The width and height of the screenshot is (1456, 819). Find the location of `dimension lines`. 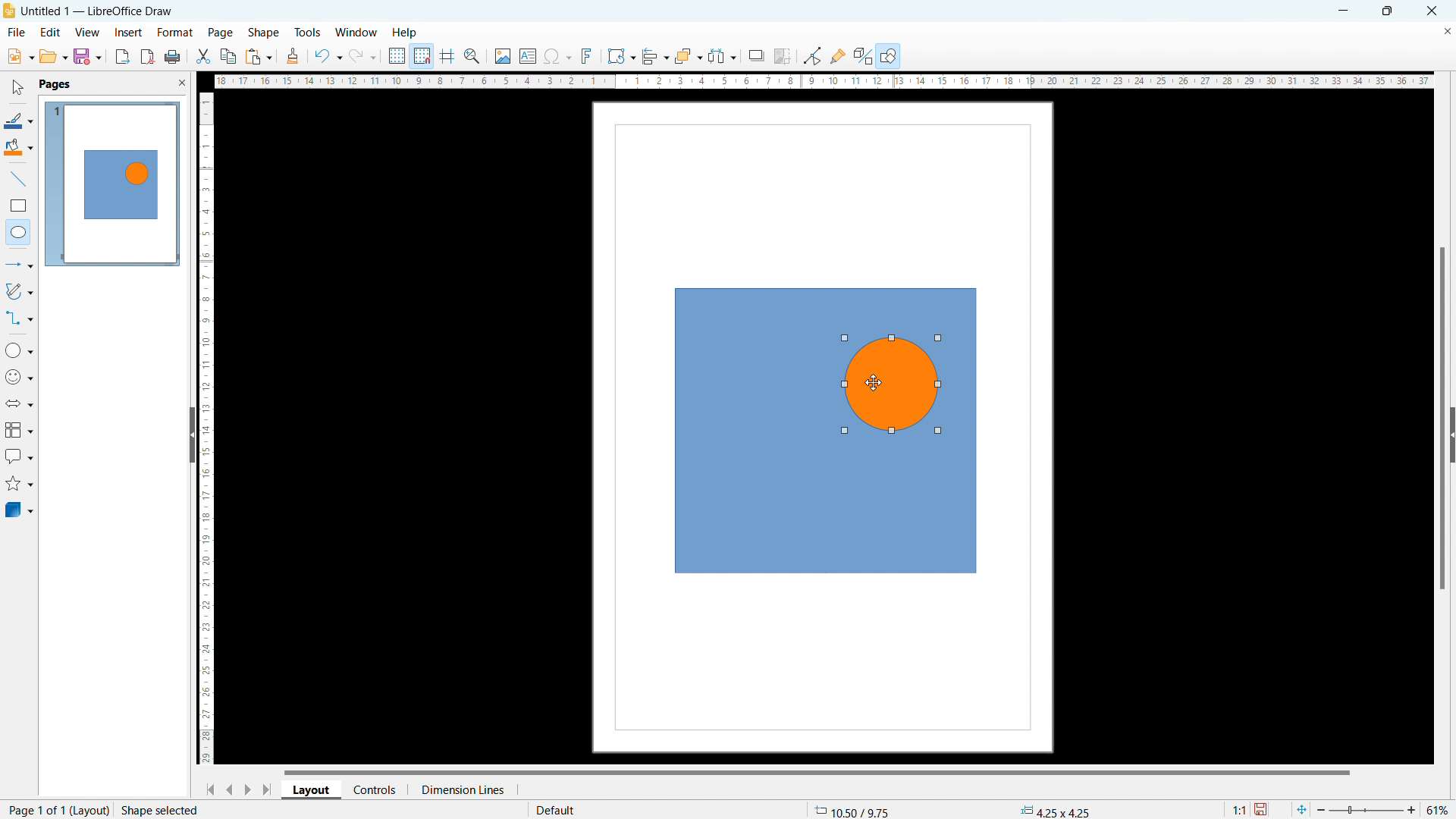

dimension lines is located at coordinates (462, 789).